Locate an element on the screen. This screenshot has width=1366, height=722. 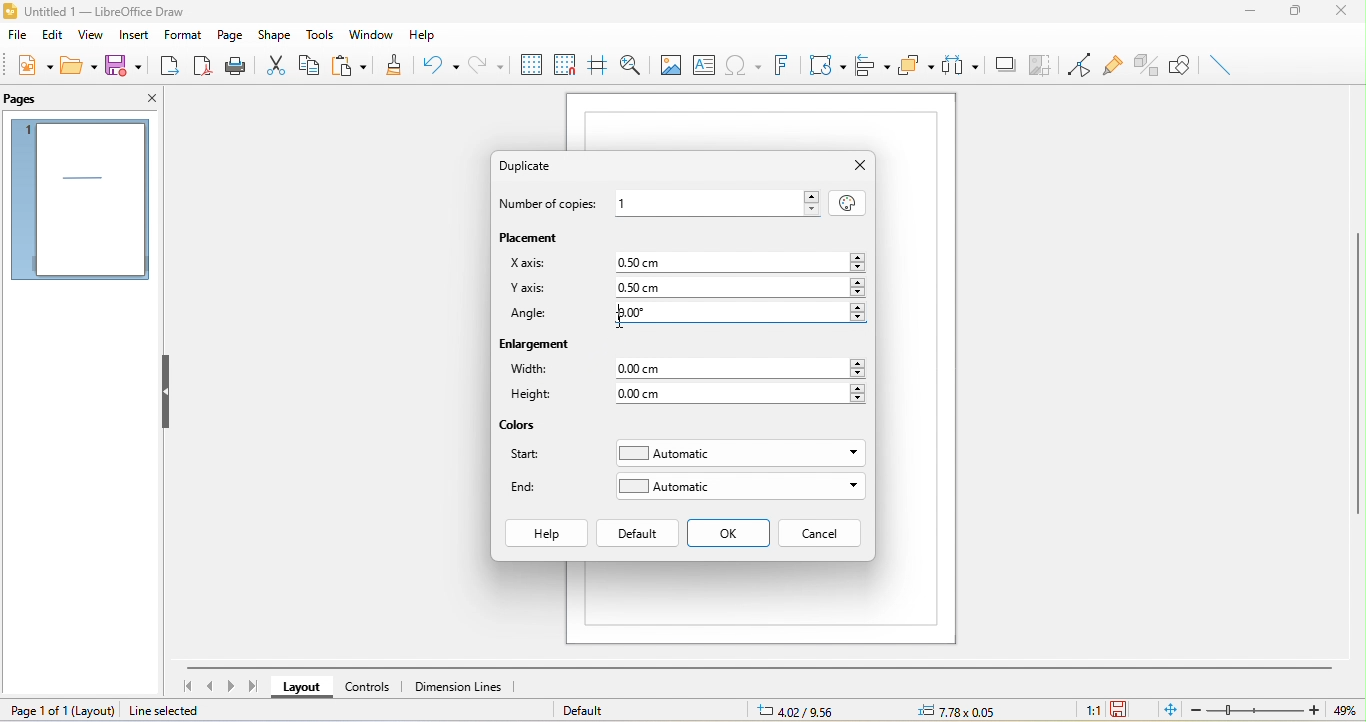
widith is located at coordinates (532, 370).